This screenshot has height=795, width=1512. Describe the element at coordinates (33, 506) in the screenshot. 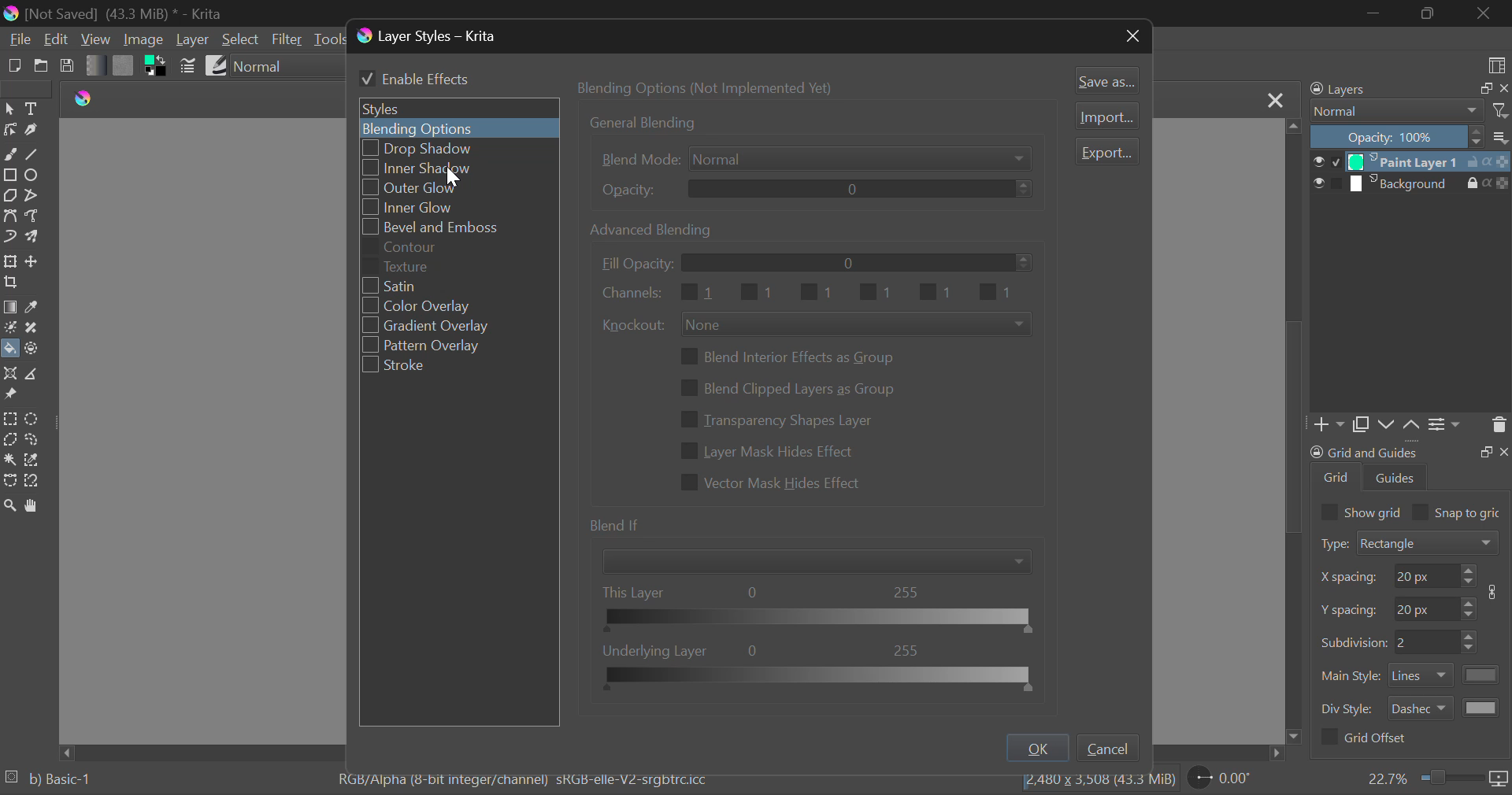

I see `Pan` at that location.